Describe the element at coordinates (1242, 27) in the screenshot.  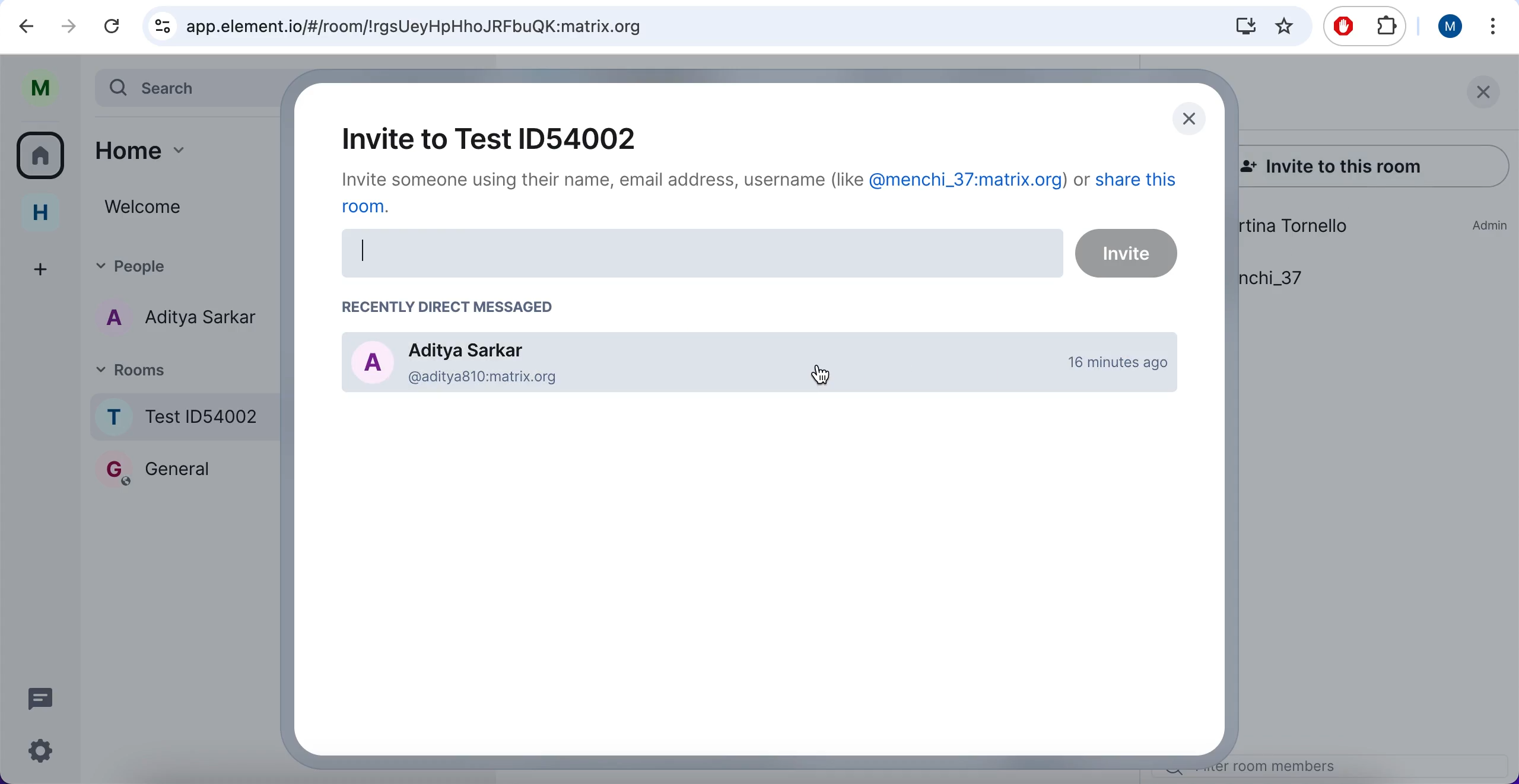
I see `donwloads` at that location.